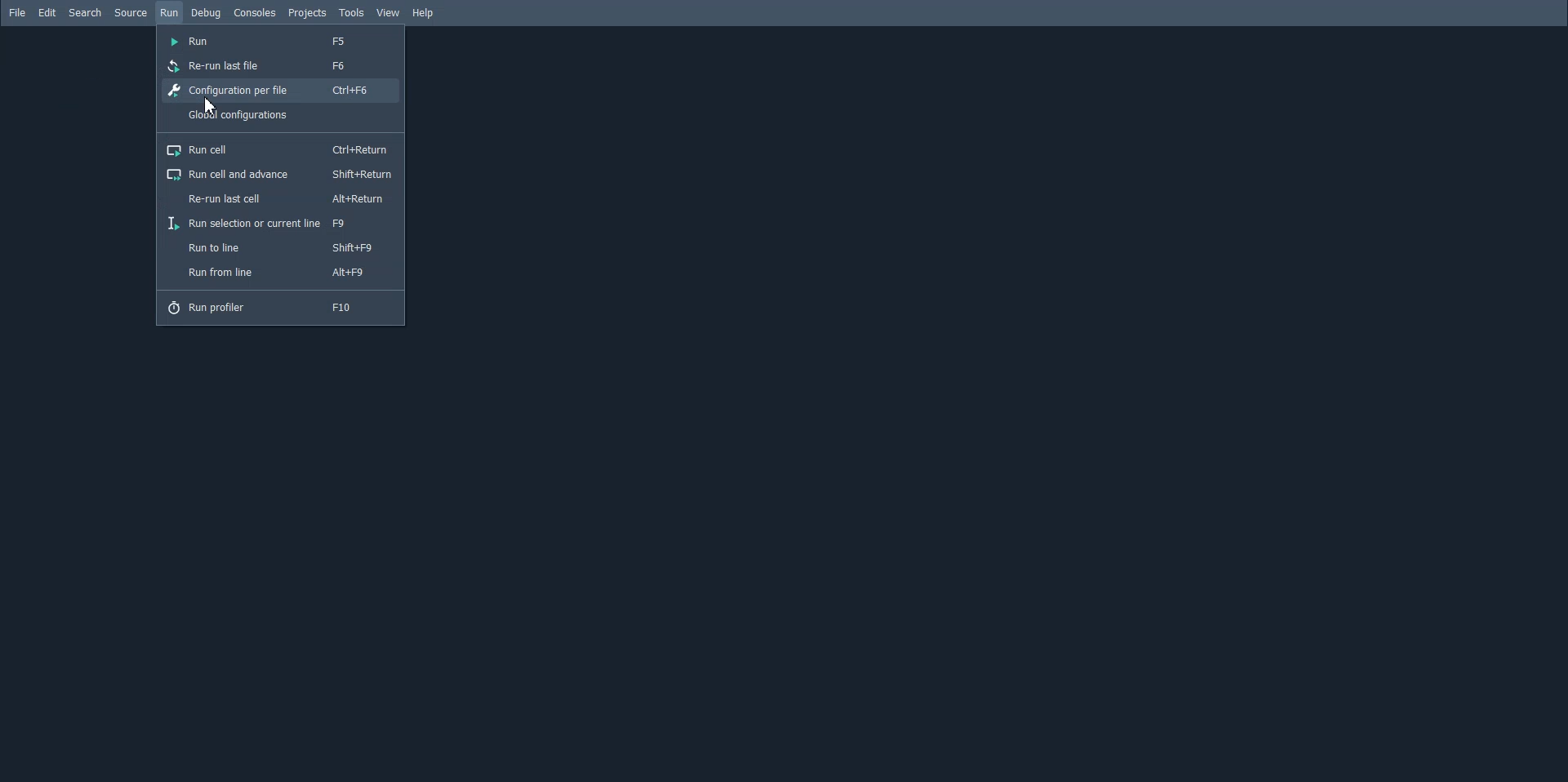 Image resolution: width=1568 pixels, height=782 pixels. Describe the element at coordinates (422, 13) in the screenshot. I see `Help` at that location.